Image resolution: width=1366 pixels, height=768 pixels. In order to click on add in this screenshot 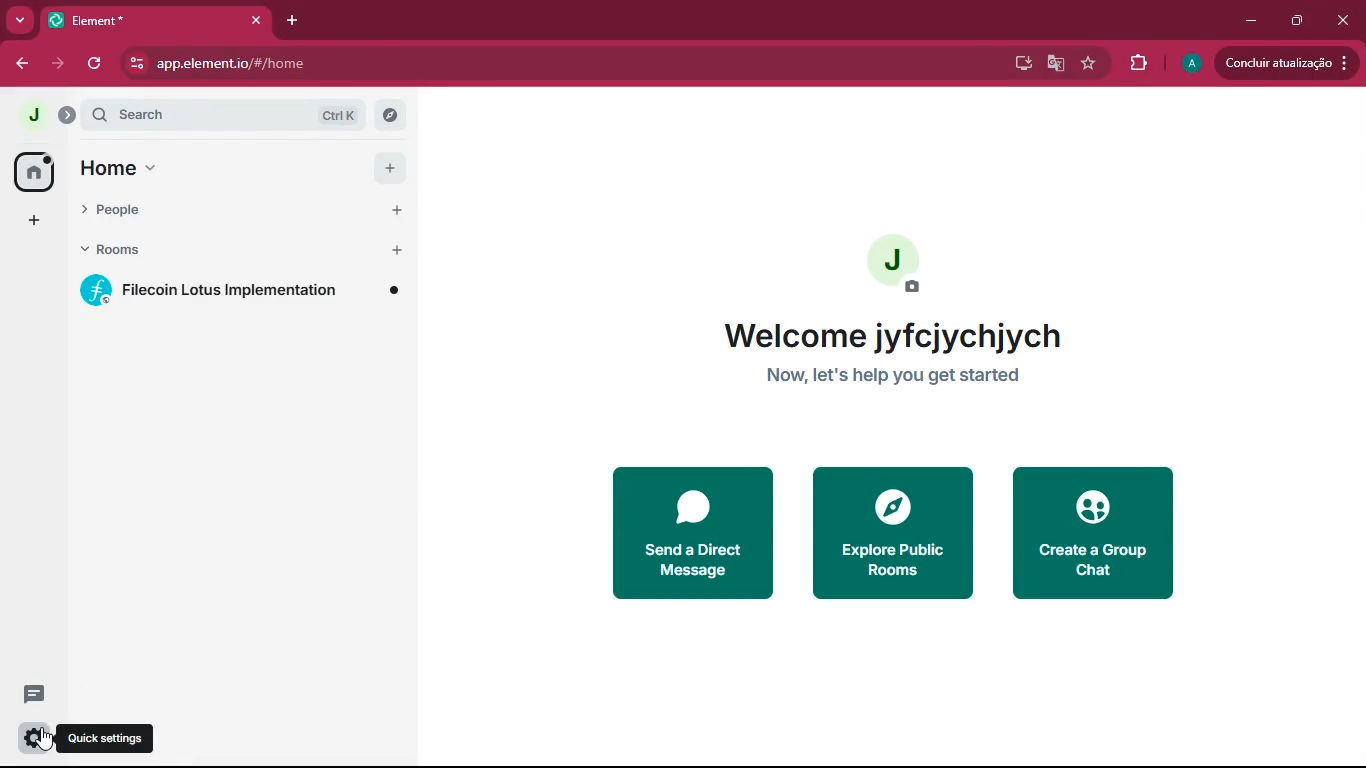, I will do `click(34, 221)`.